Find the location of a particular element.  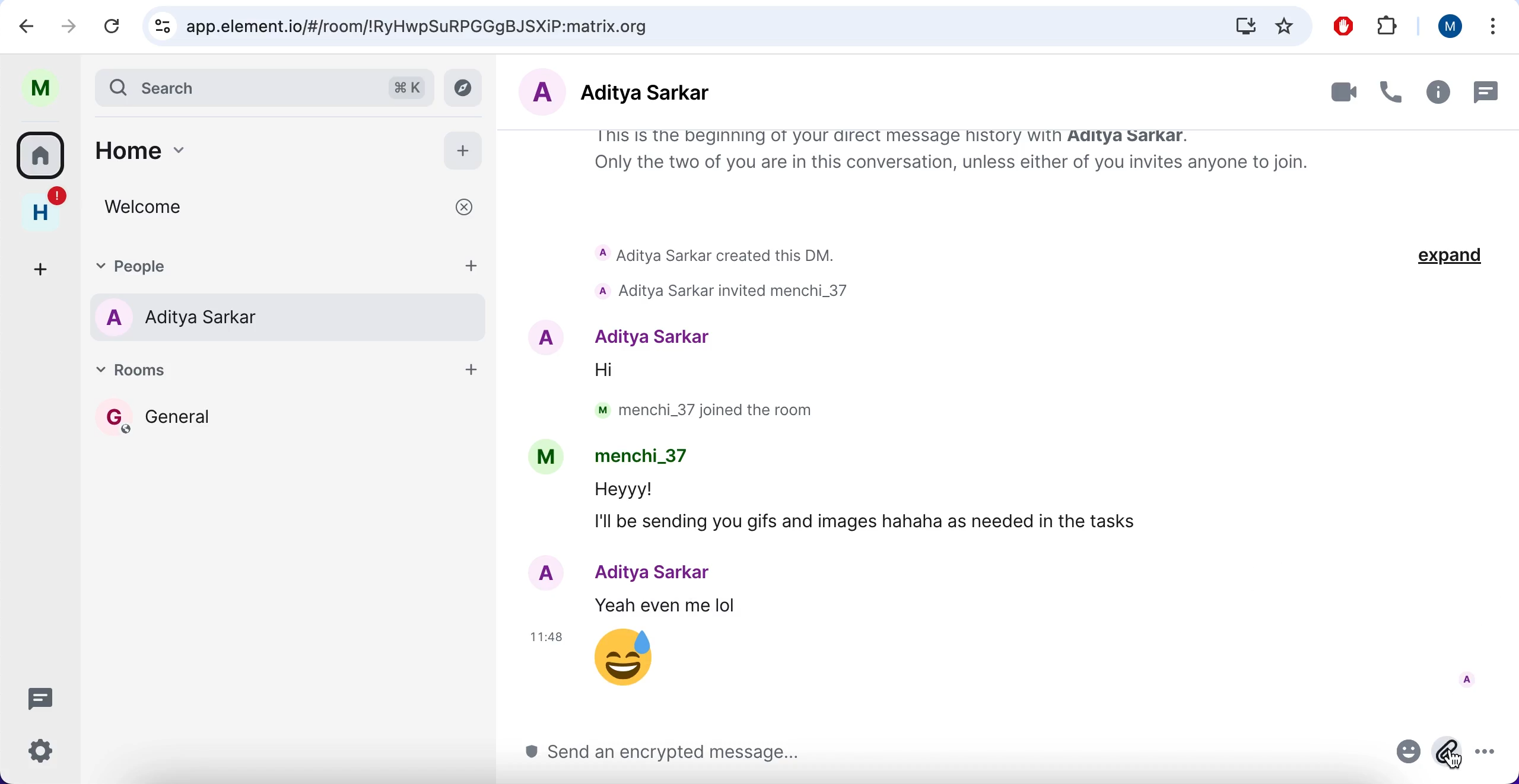

add people is located at coordinates (471, 266).